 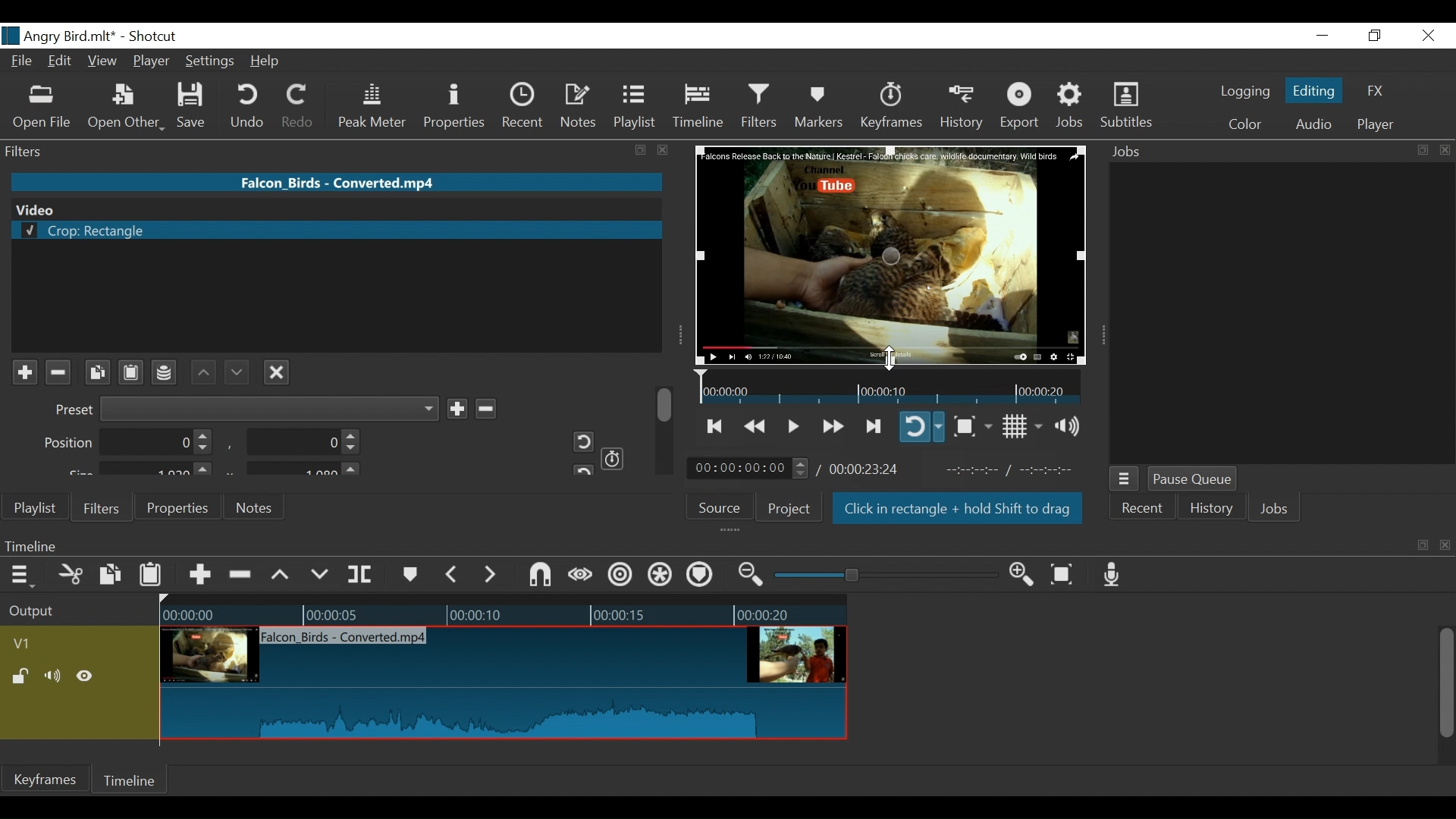 What do you see at coordinates (1126, 105) in the screenshot?
I see `Subtitles` at bounding box center [1126, 105].